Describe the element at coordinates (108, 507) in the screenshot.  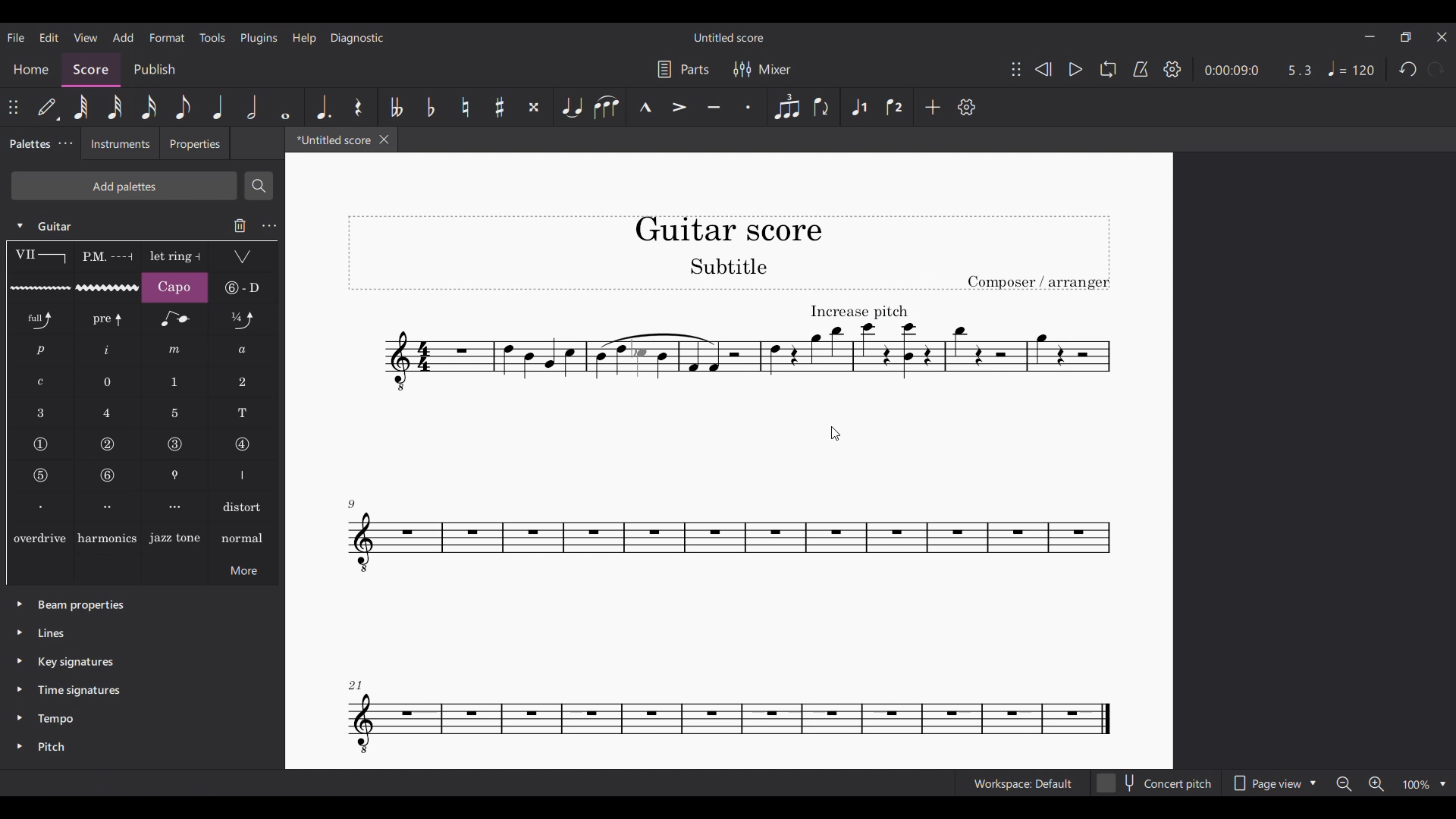
I see `Right hand fingering, second finger` at that location.